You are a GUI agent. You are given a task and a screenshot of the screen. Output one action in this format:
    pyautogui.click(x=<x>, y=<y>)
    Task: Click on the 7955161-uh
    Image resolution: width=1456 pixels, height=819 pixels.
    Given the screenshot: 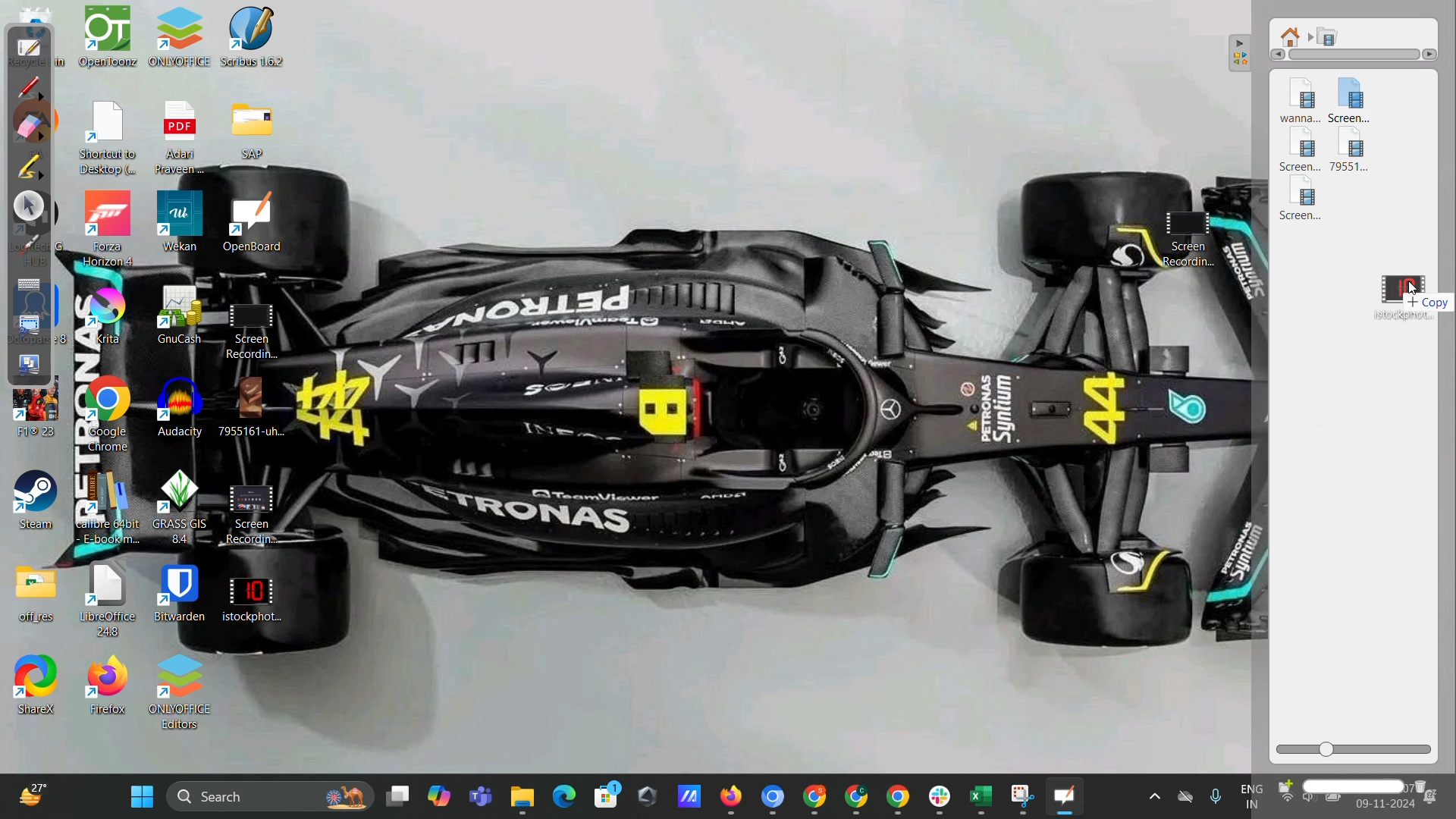 What is the action you would take?
    pyautogui.click(x=254, y=406)
    